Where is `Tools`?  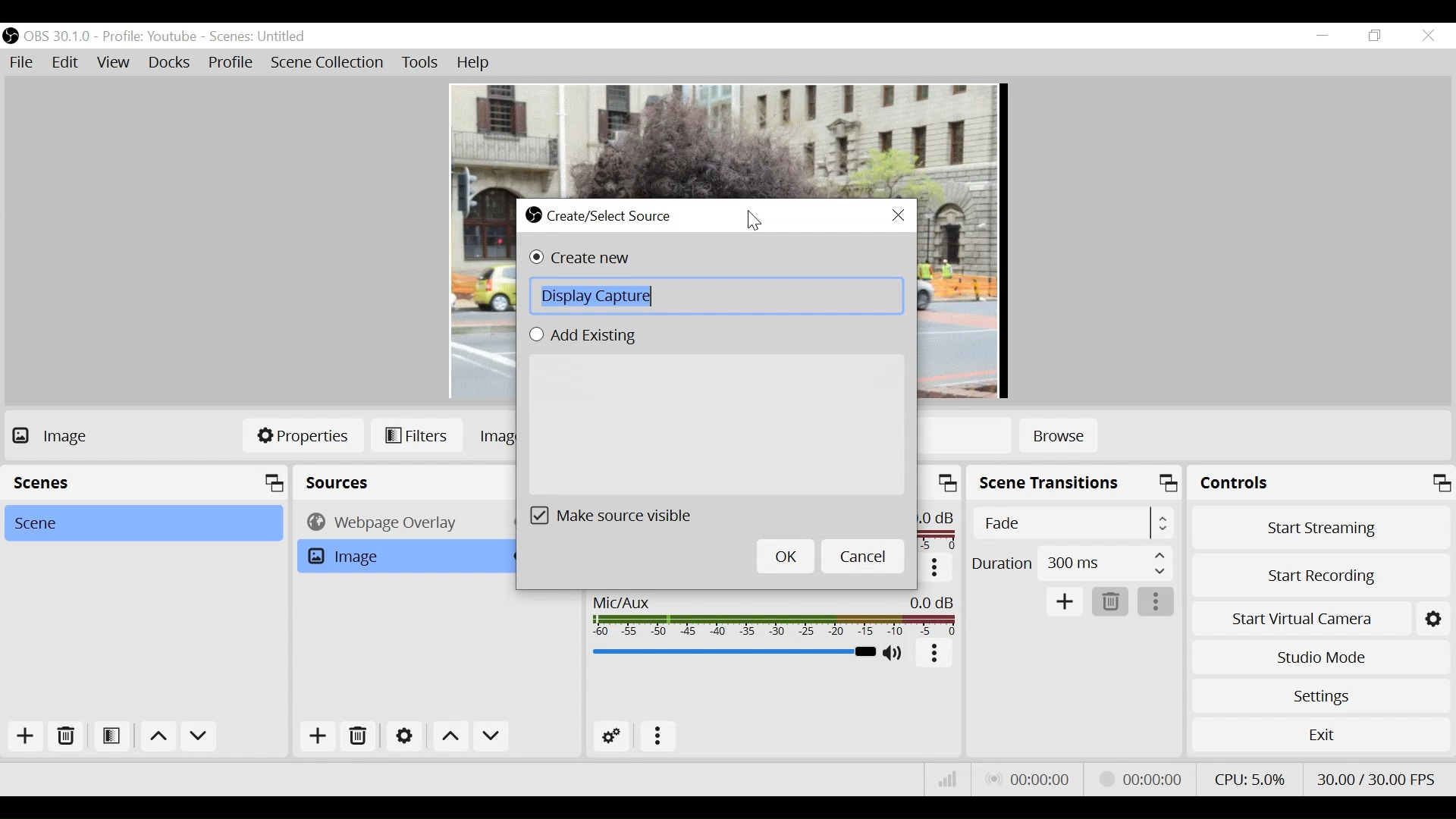
Tools is located at coordinates (421, 63).